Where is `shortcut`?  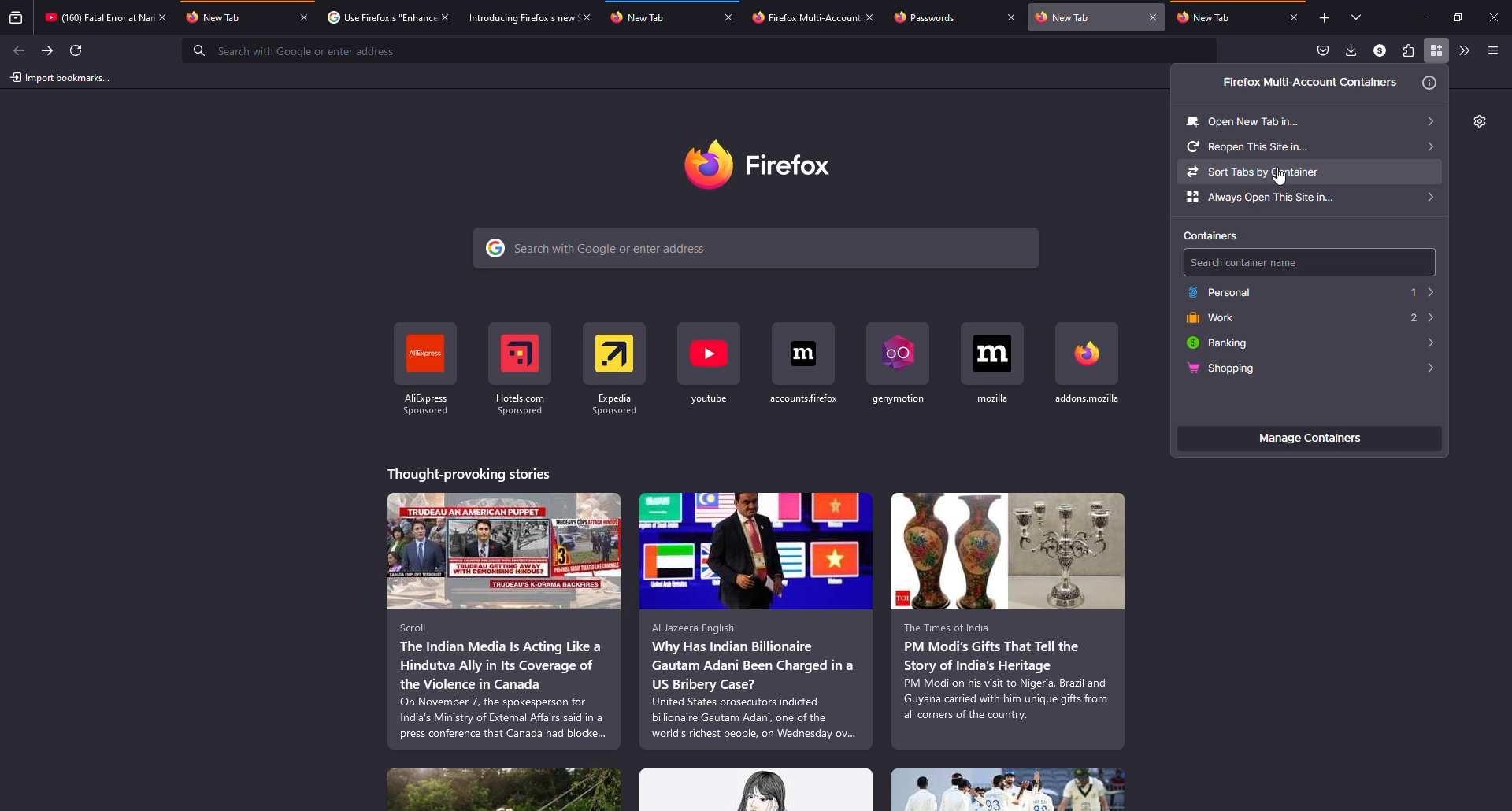 shortcut is located at coordinates (806, 363).